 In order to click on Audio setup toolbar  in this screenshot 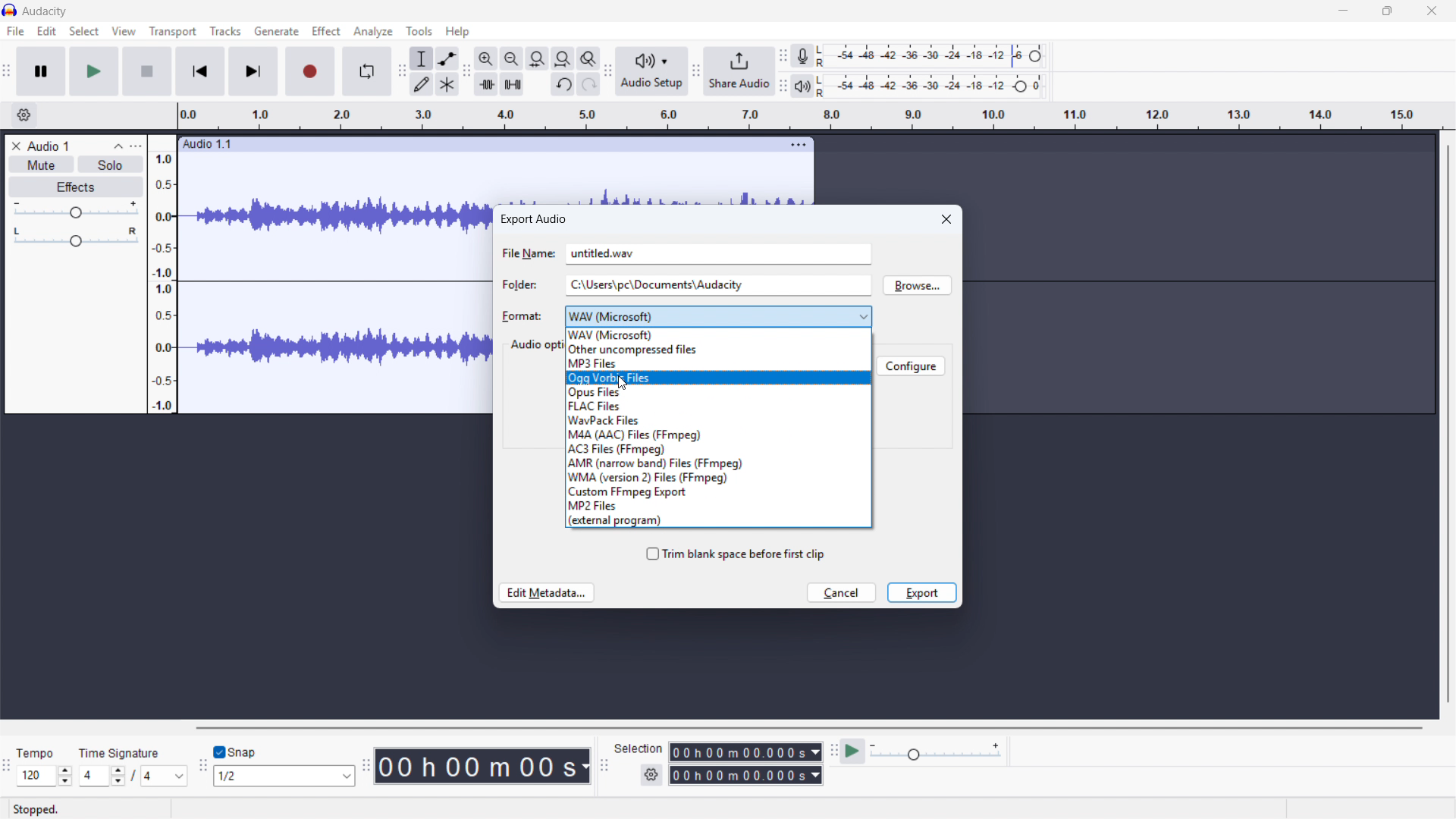, I will do `click(607, 73)`.